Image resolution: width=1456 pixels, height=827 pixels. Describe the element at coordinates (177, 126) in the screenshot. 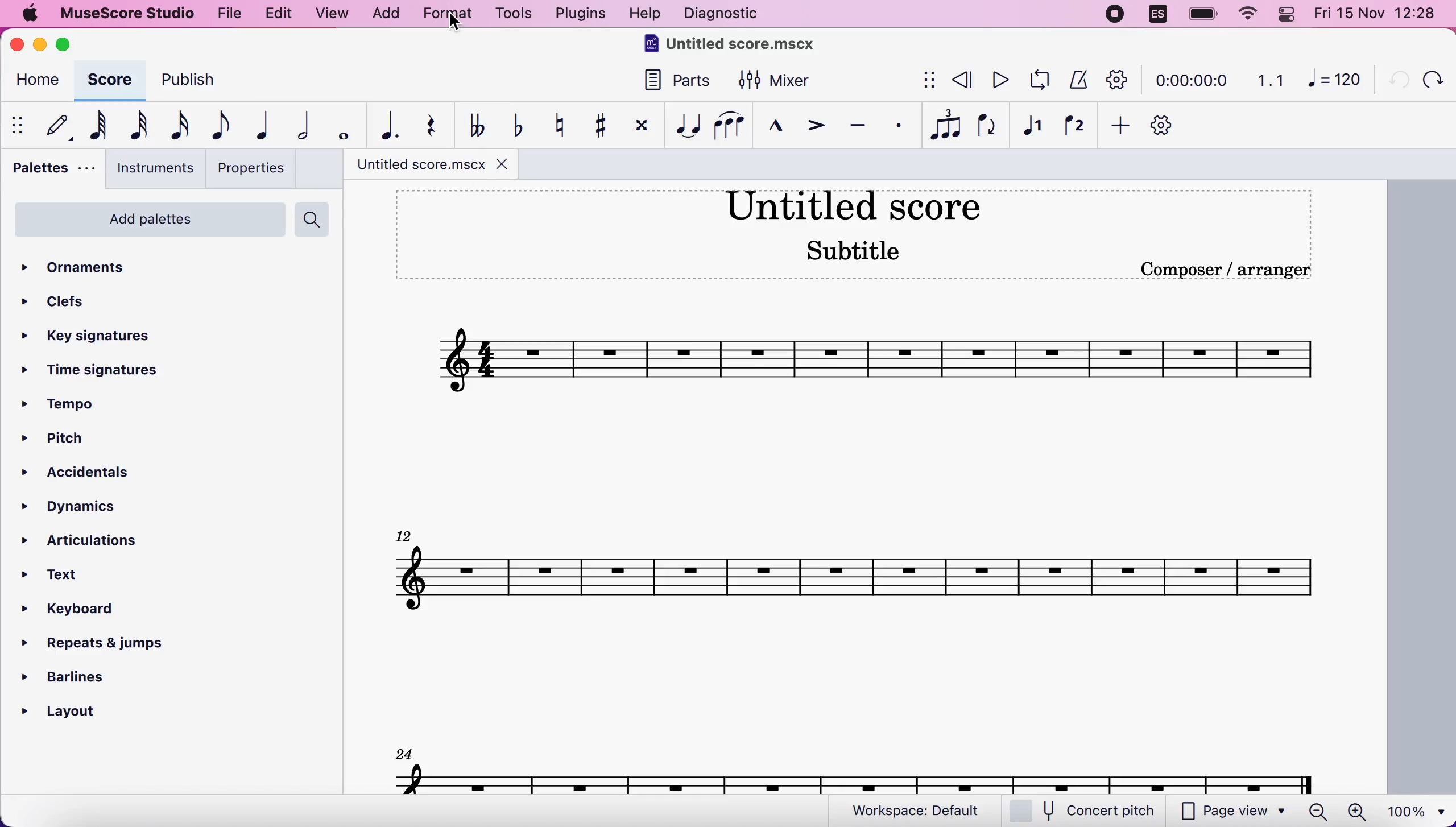

I see `16th note` at that location.